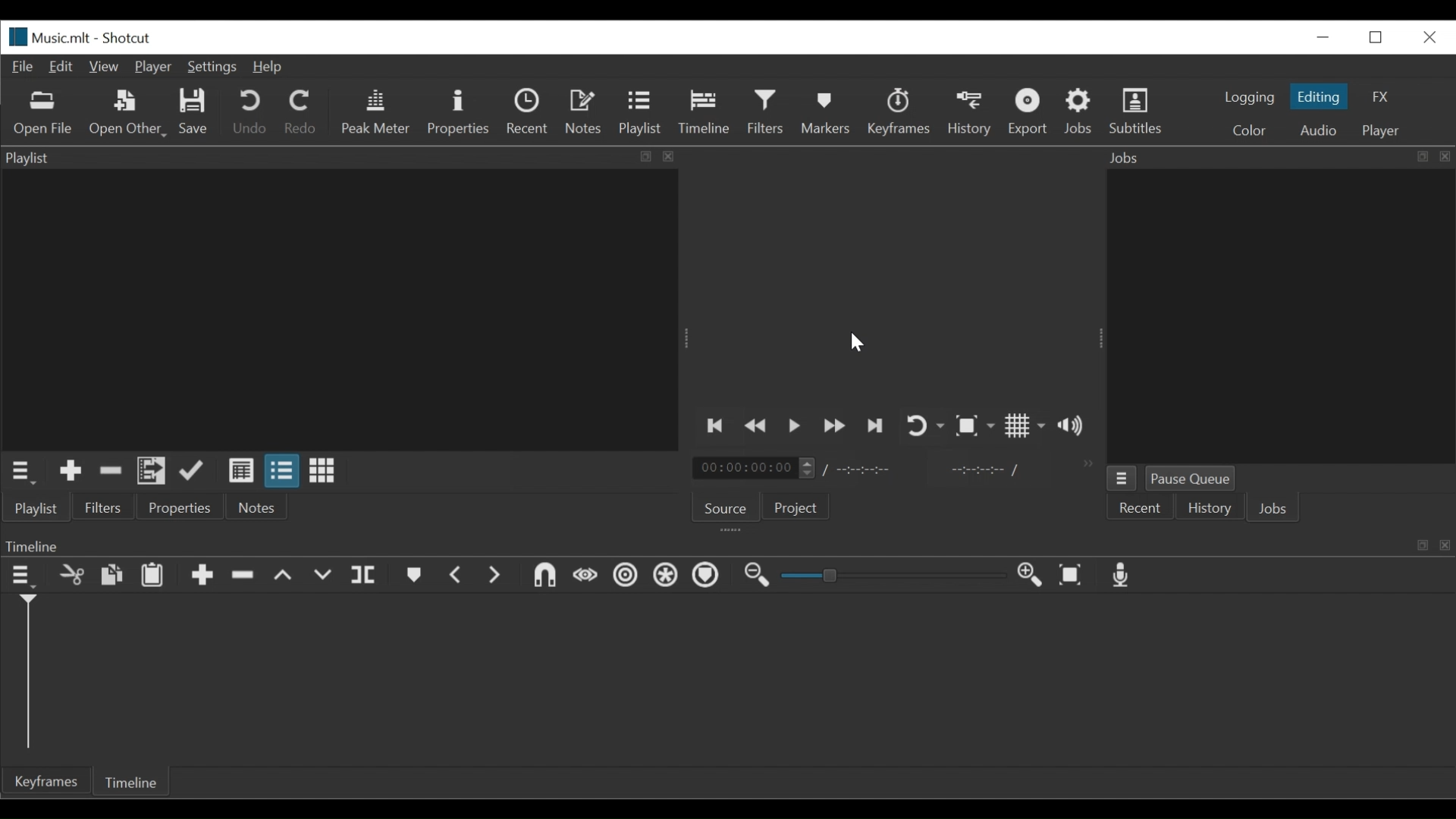 The height and width of the screenshot is (819, 1456). I want to click on Markers, so click(827, 113).